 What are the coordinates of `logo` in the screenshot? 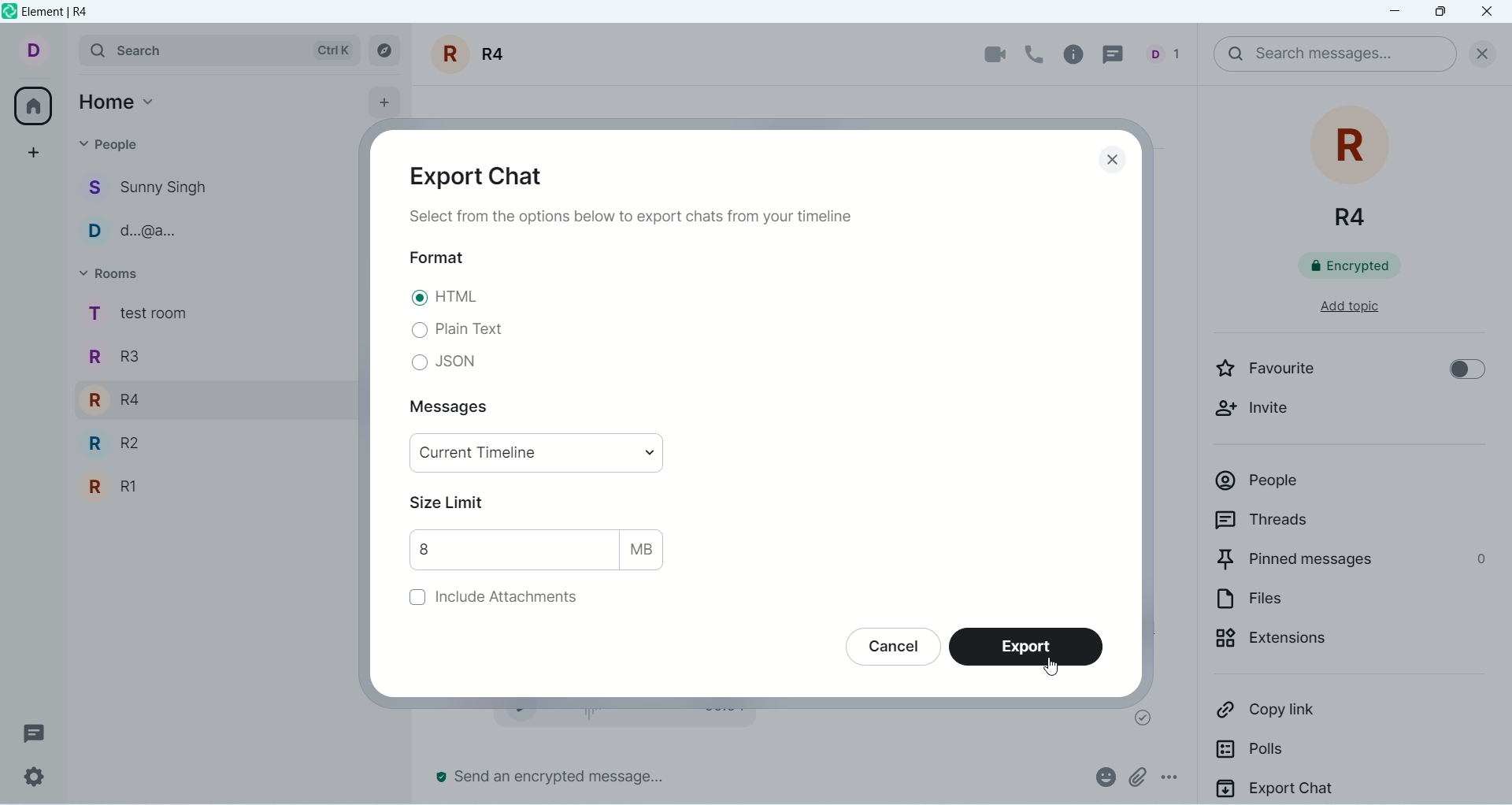 It's located at (9, 11).